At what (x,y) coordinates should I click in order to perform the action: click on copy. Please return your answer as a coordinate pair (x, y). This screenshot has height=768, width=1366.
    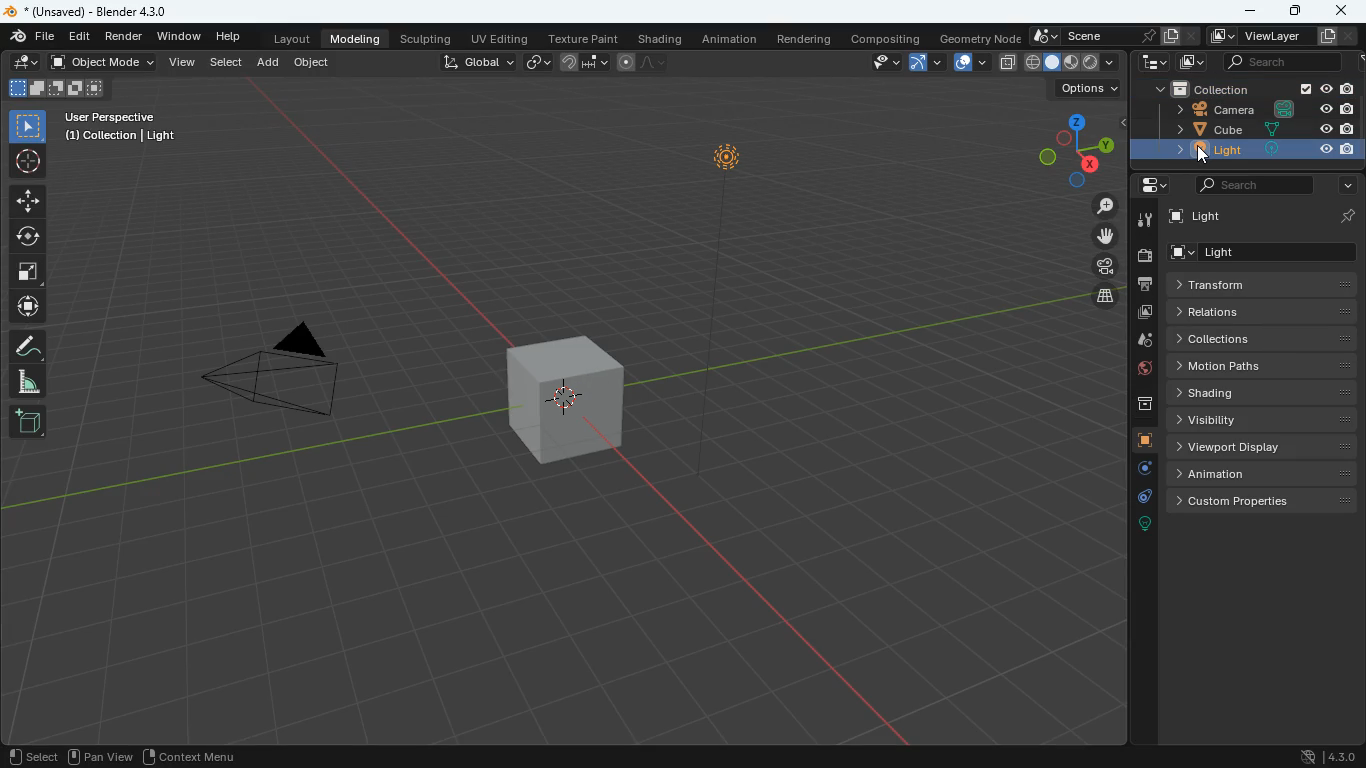
    Looking at the image, I should click on (1007, 63).